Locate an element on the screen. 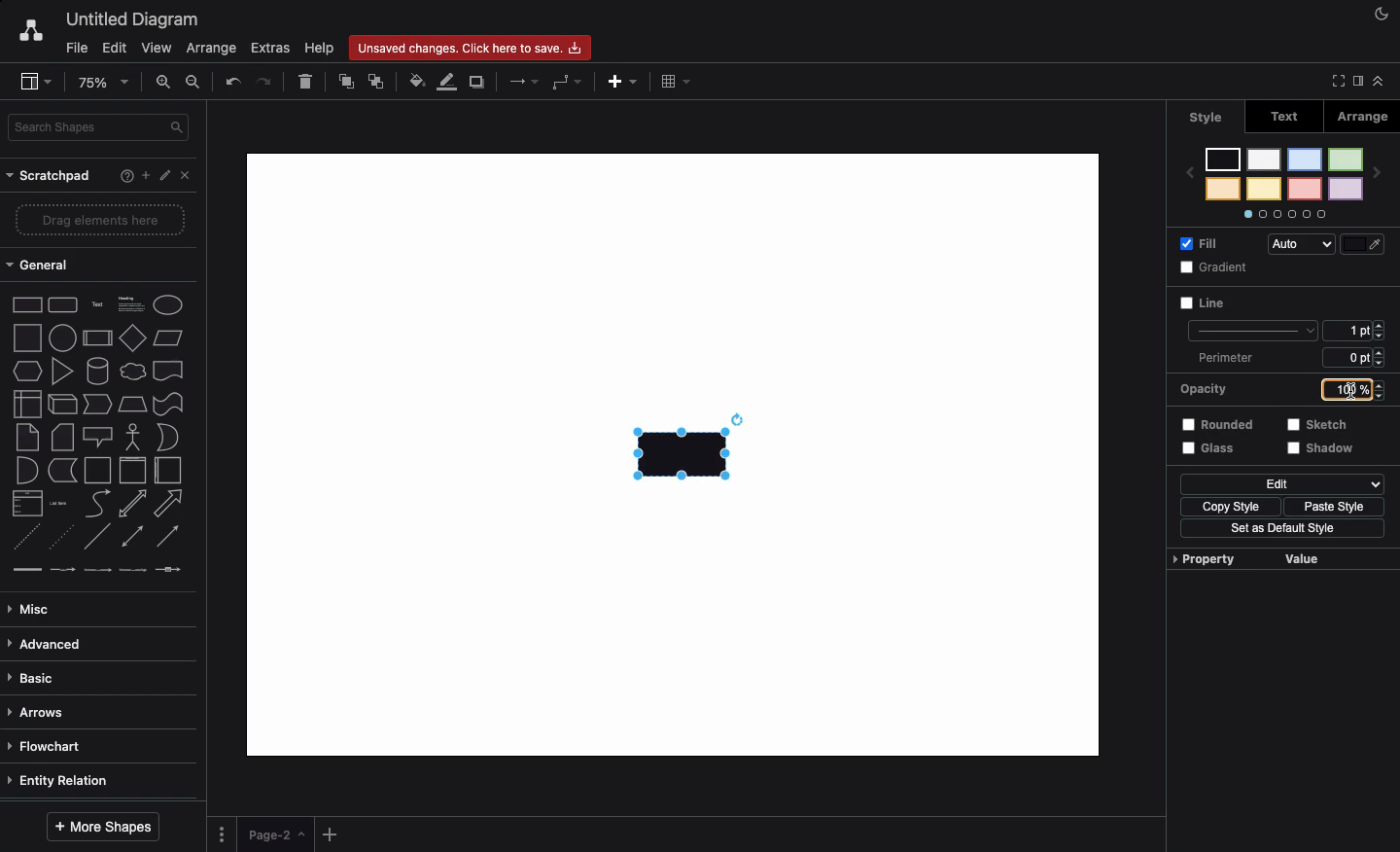 Image resolution: width=1400 pixels, height=852 pixels. line is located at coordinates (96, 538).